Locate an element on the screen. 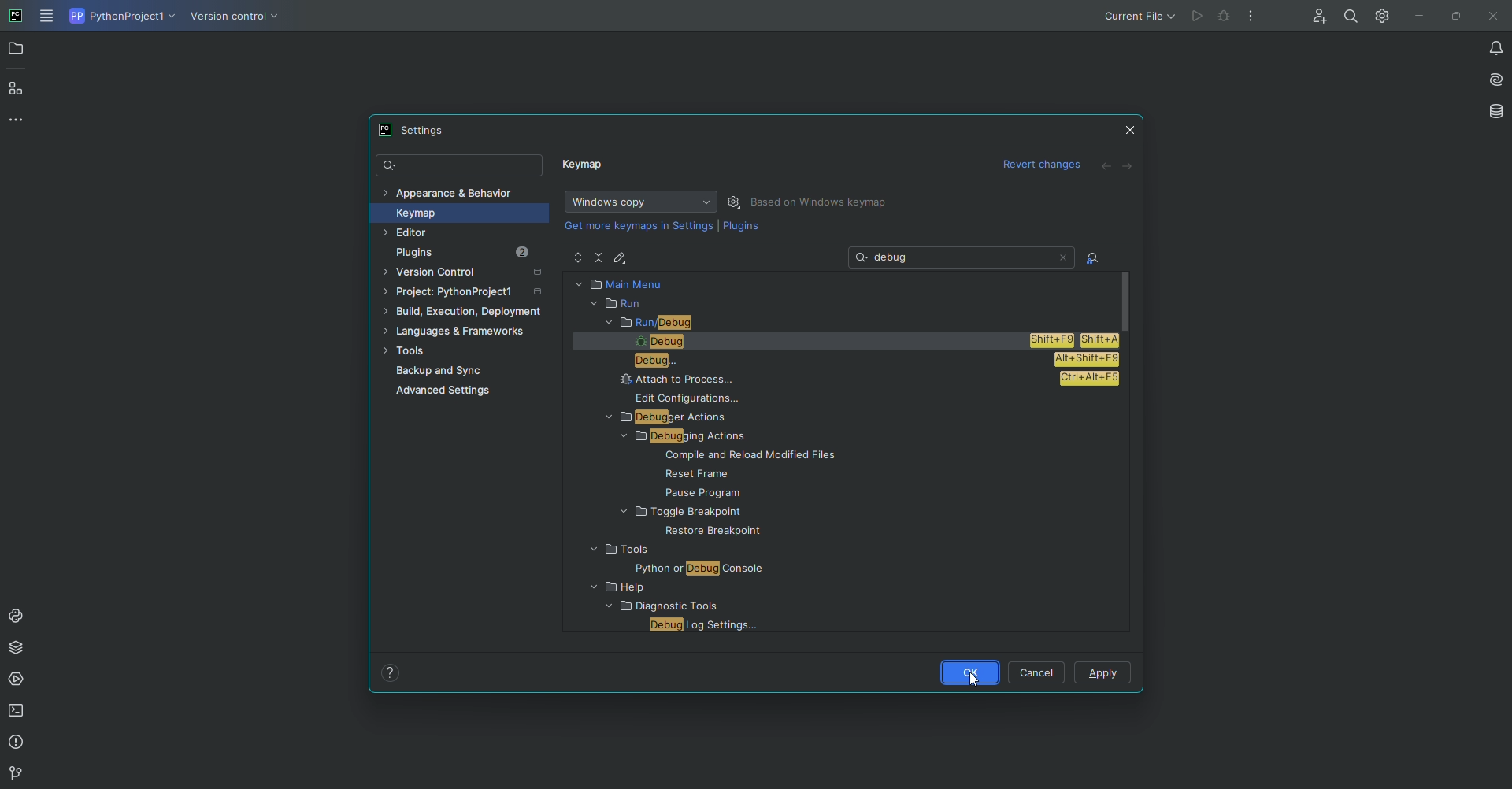  Languages and Framework is located at coordinates (461, 332).